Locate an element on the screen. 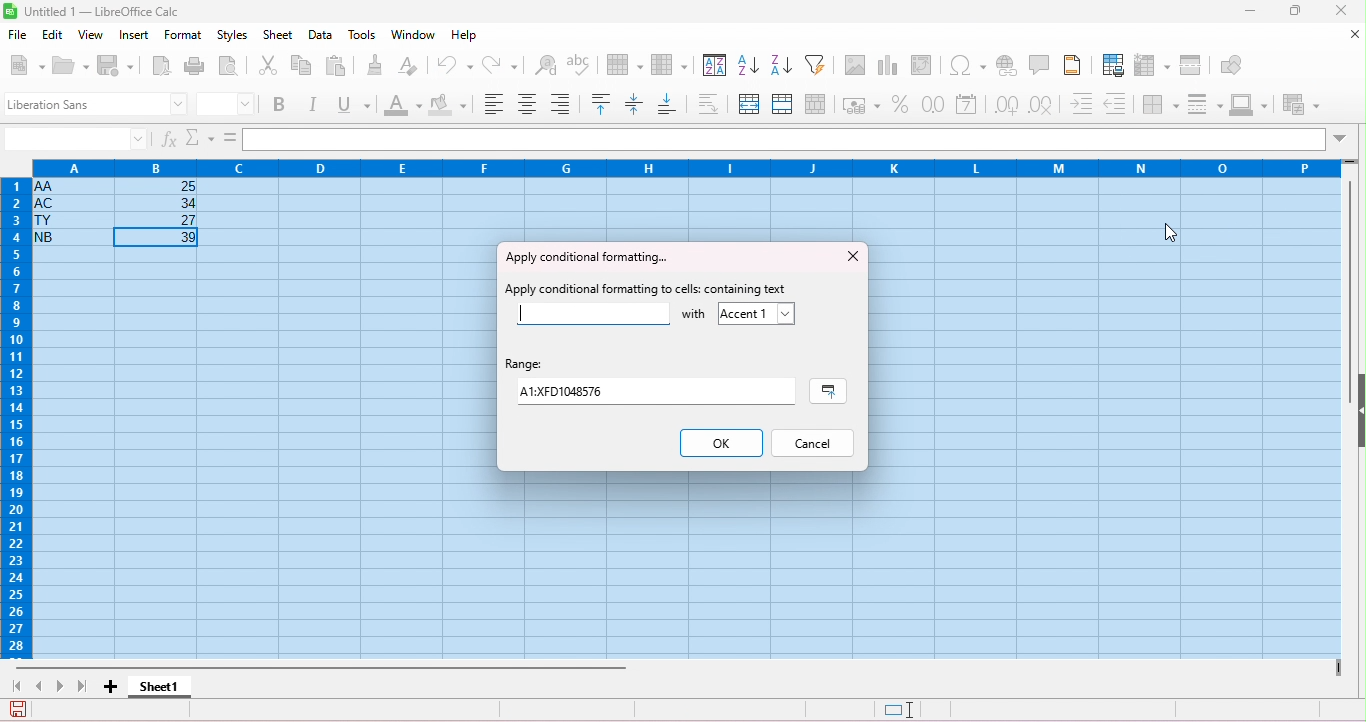 The height and width of the screenshot is (722, 1366). copy is located at coordinates (301, 65).